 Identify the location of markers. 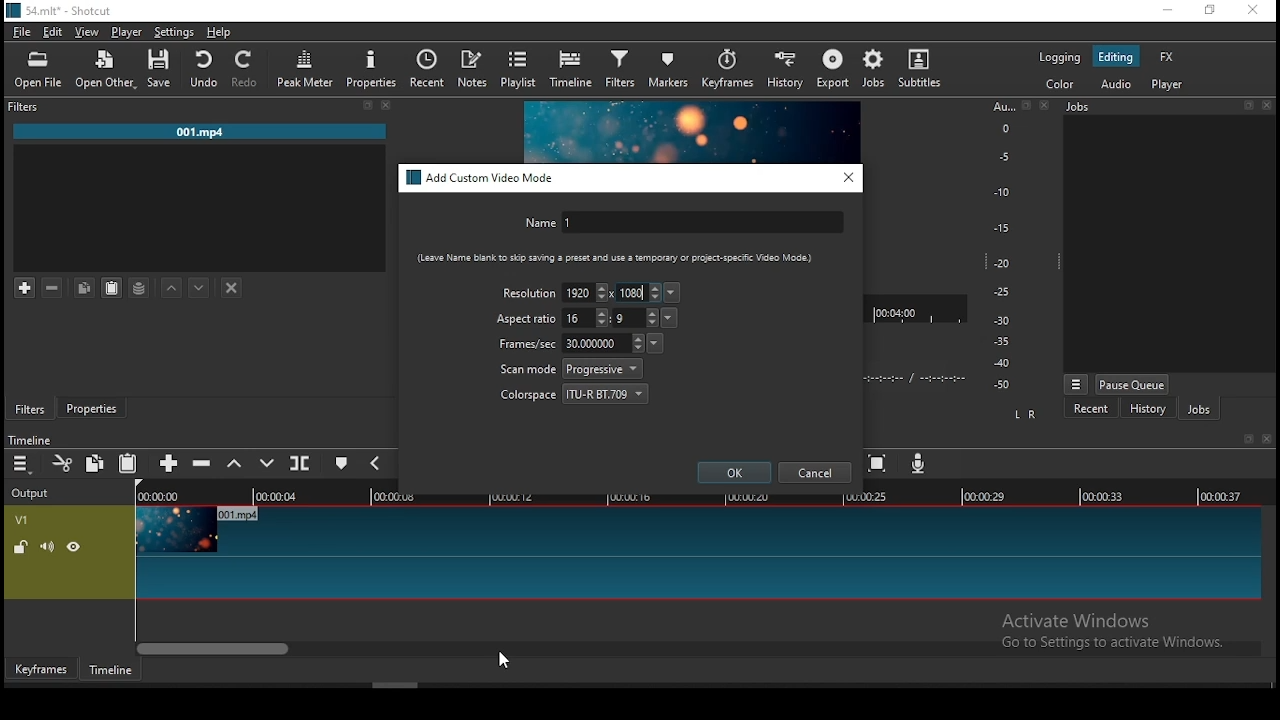
(670, 67).